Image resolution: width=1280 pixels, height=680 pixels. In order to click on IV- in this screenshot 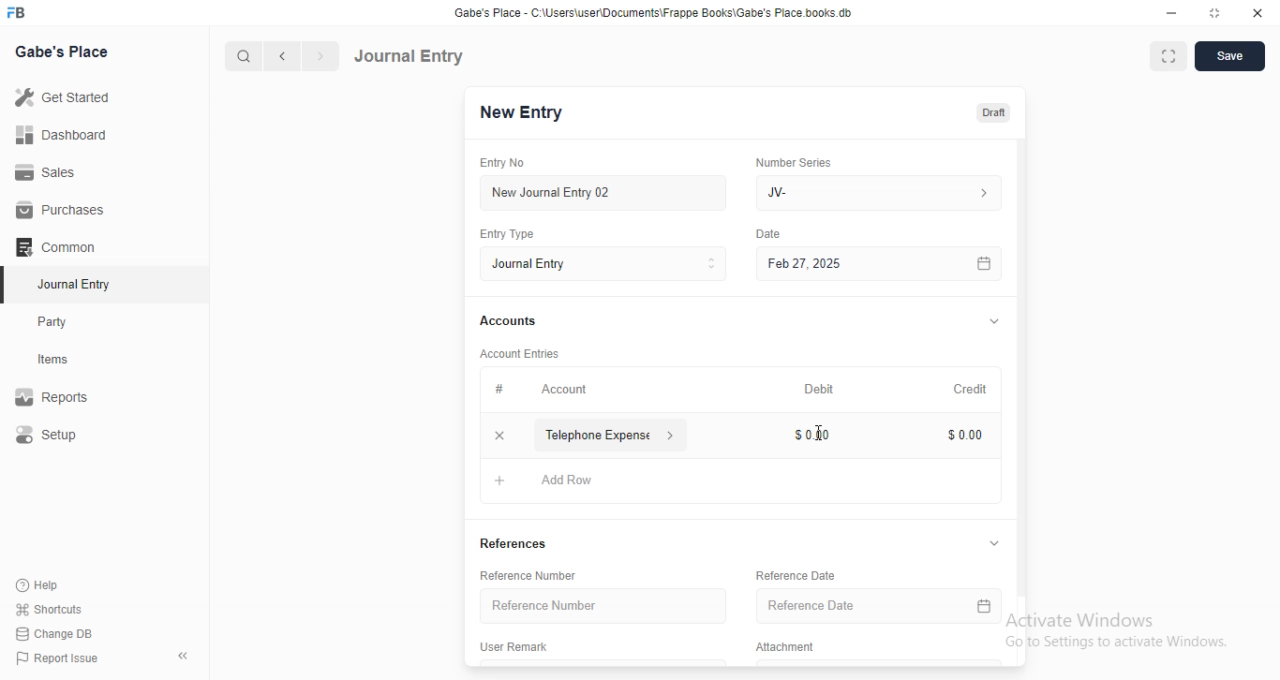, I will do `click(877, 192)`.